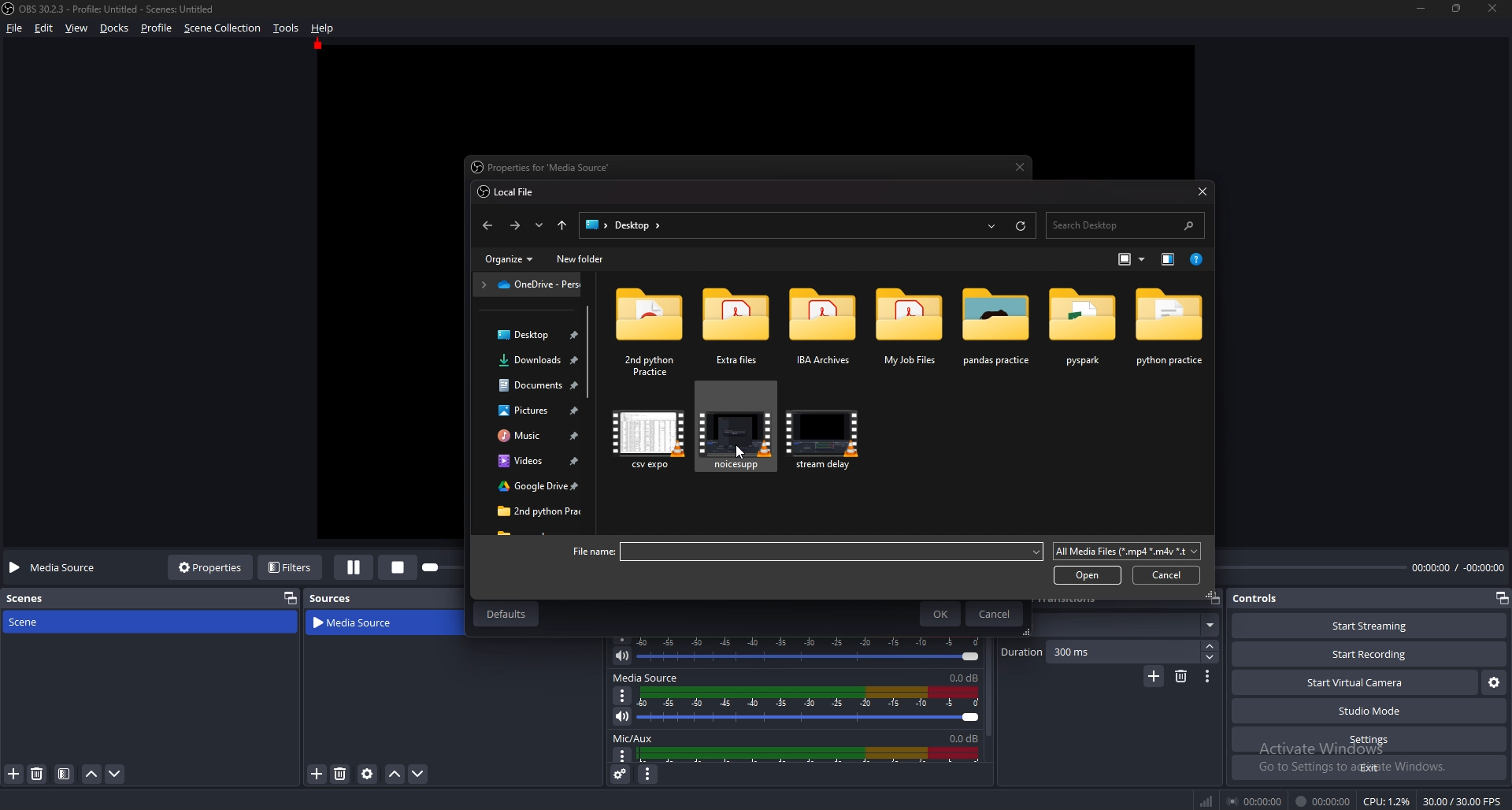 This screenshot has width=1512, height=810. I want to click on ‘OBS 30.2.3 - Profile: Untitled - Scenes: Untitled, so click(120, 9).